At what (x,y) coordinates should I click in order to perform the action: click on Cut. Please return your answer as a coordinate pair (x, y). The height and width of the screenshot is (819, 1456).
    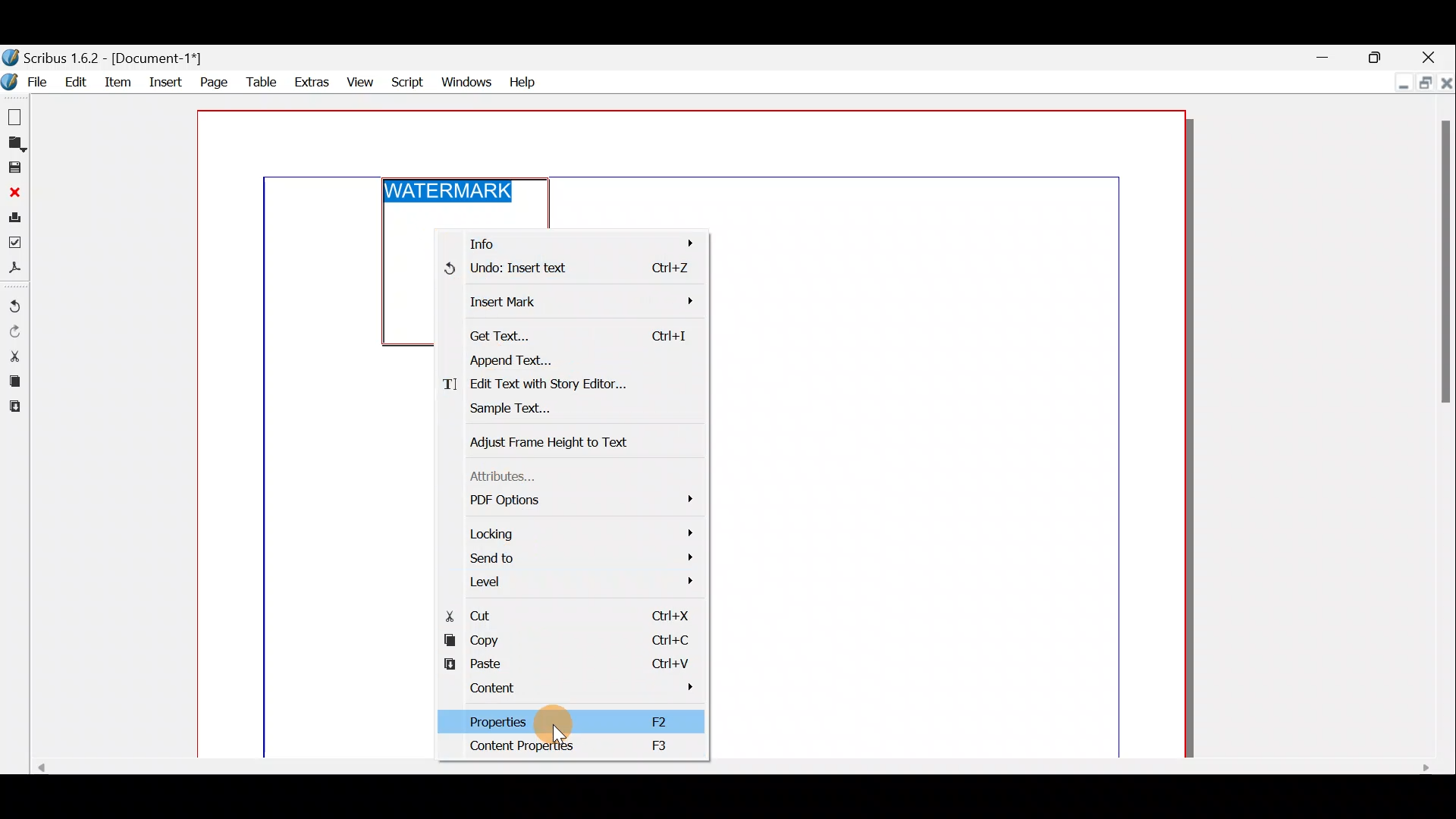
    Looking at the image, I should click on (14, 356).